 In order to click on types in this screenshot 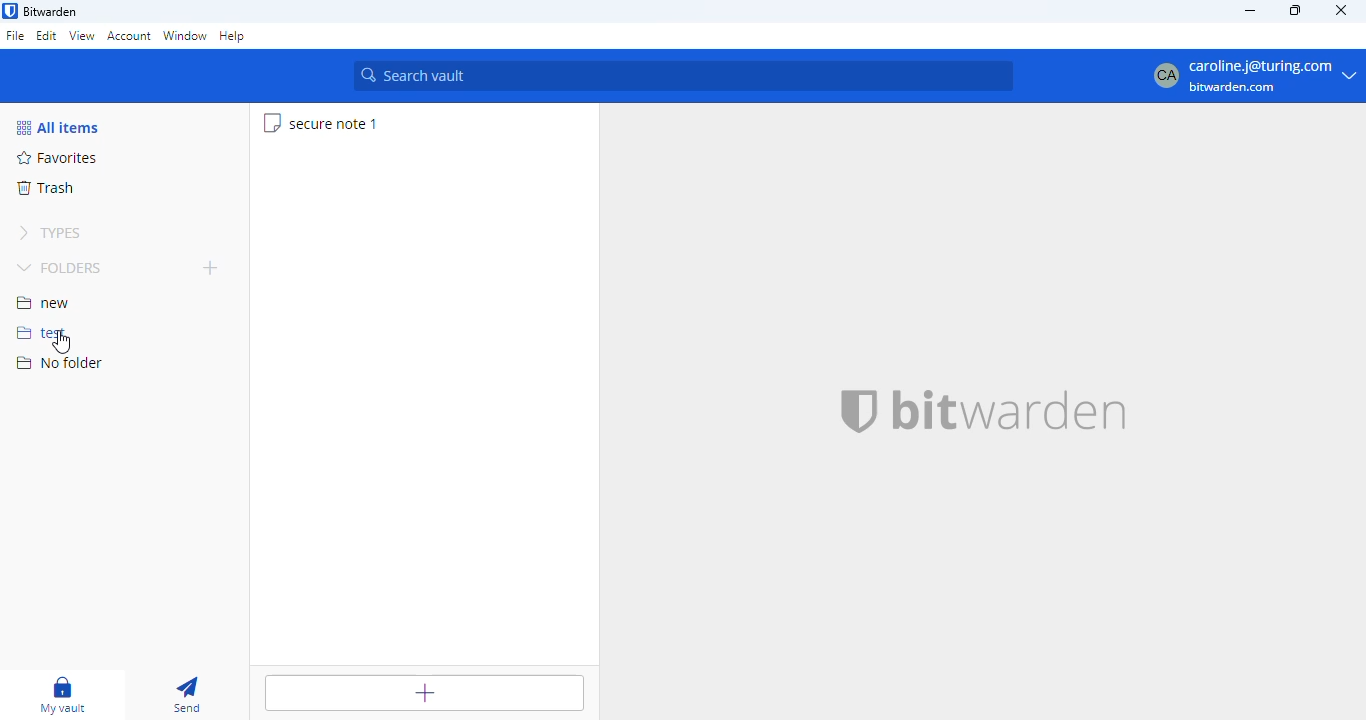, I will do `click(47, 232)`.